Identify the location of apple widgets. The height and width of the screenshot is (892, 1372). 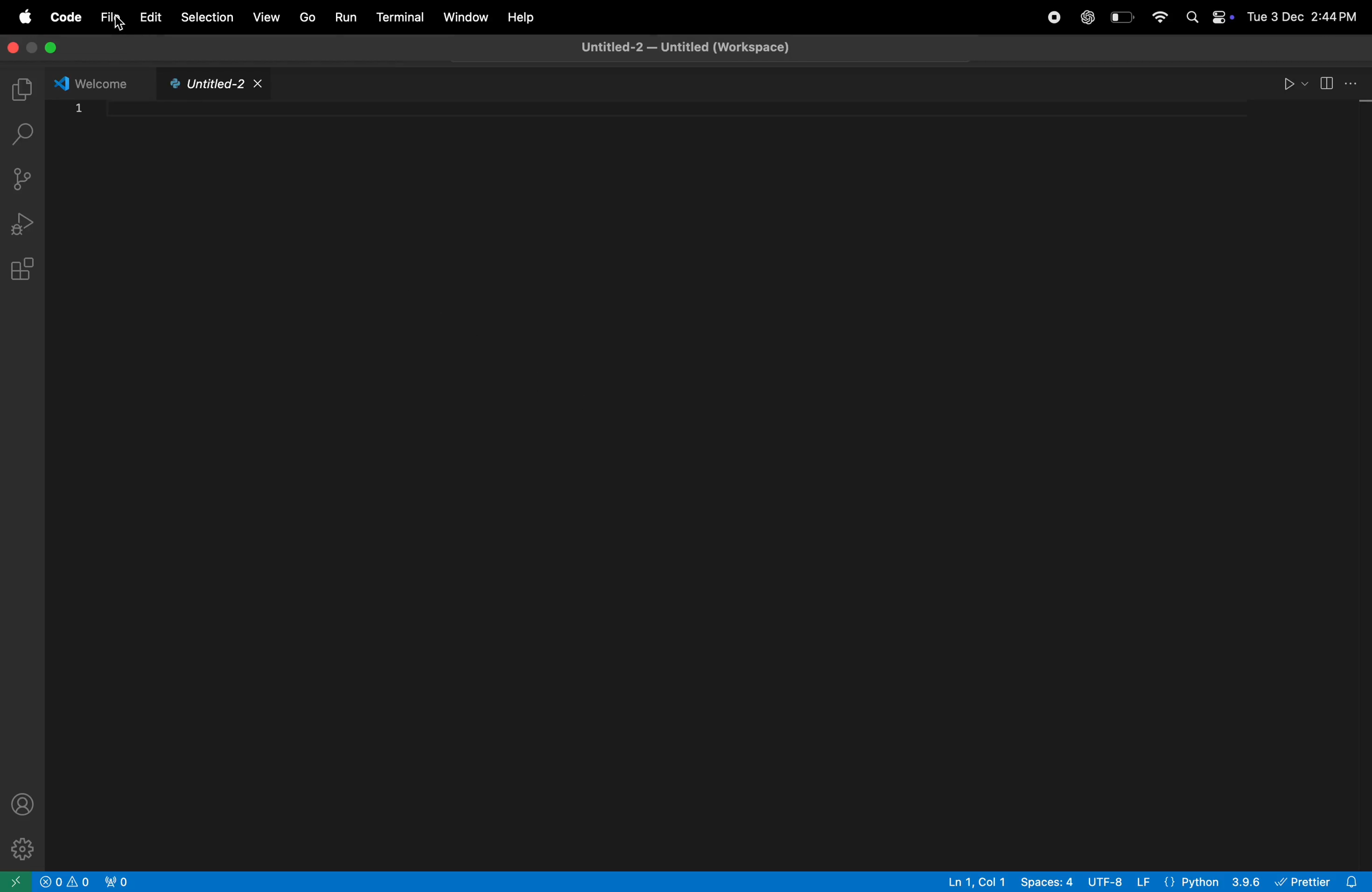
(1206, 16).